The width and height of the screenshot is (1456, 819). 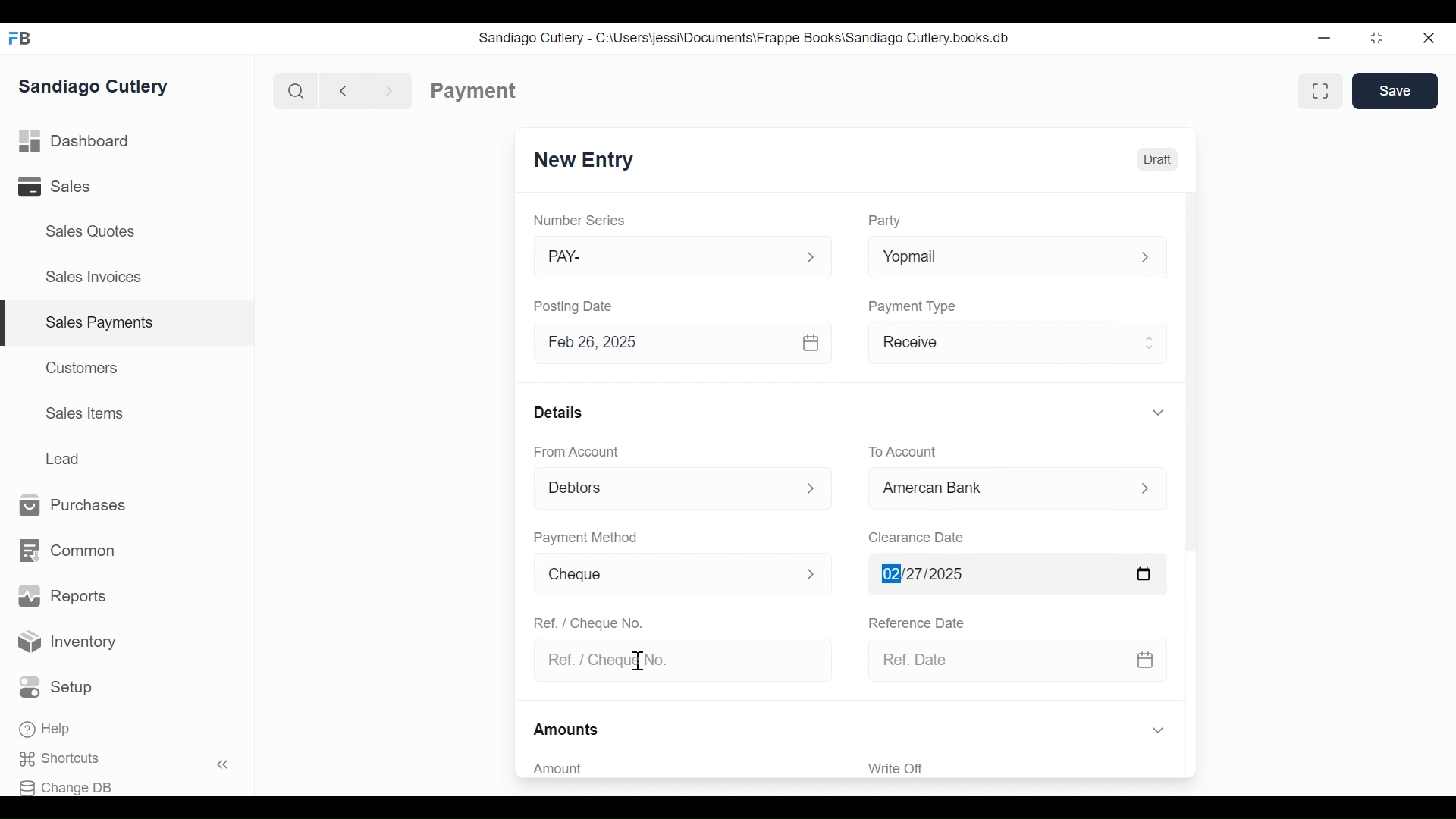 What do you see at coordinates (664, 343) in the screenshot?
I see `Feb 26, 2025 ` at bounding box center [664, 343].